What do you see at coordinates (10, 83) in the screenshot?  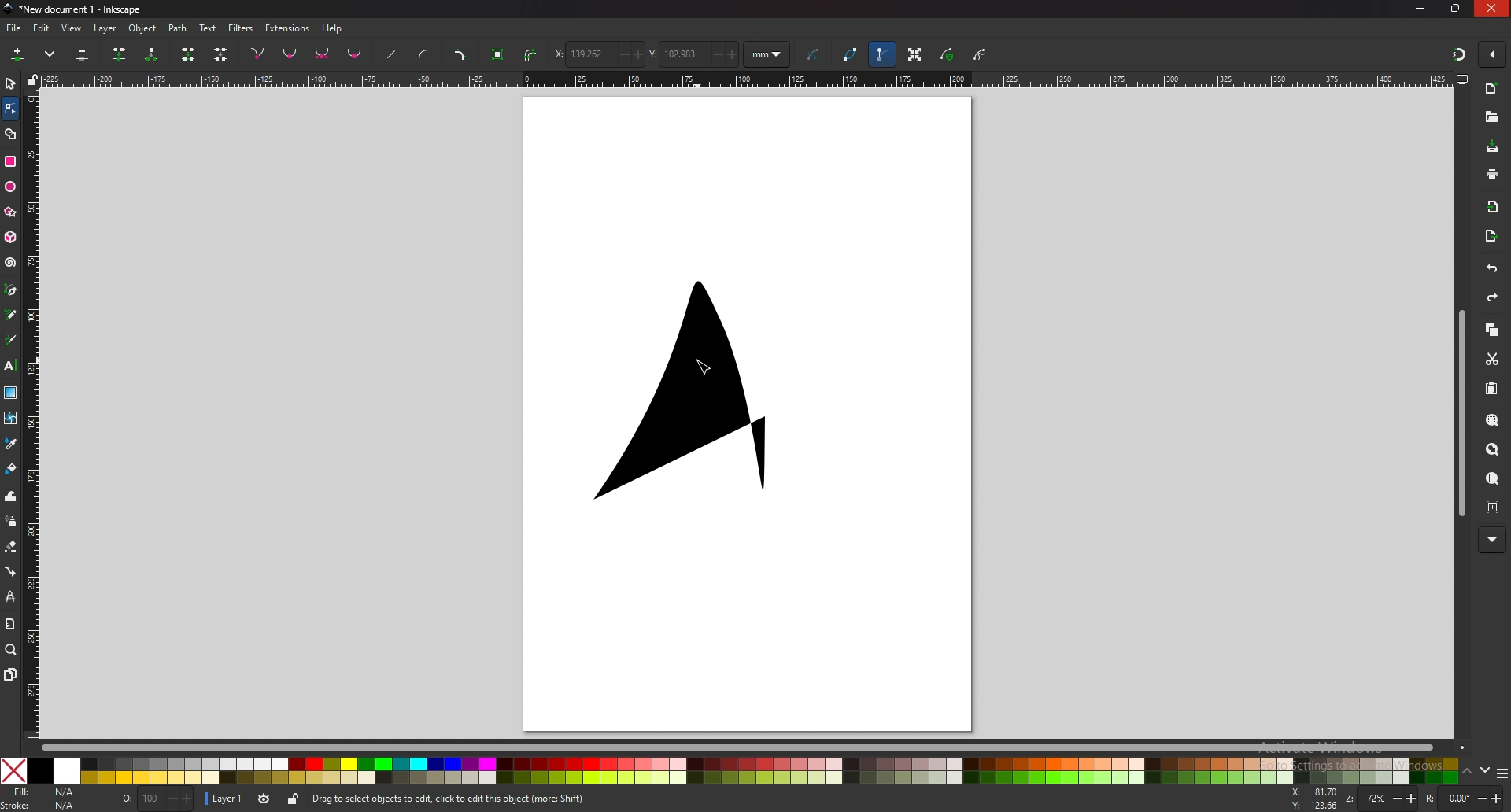 I see `selector` at bounding box center [10, 83].